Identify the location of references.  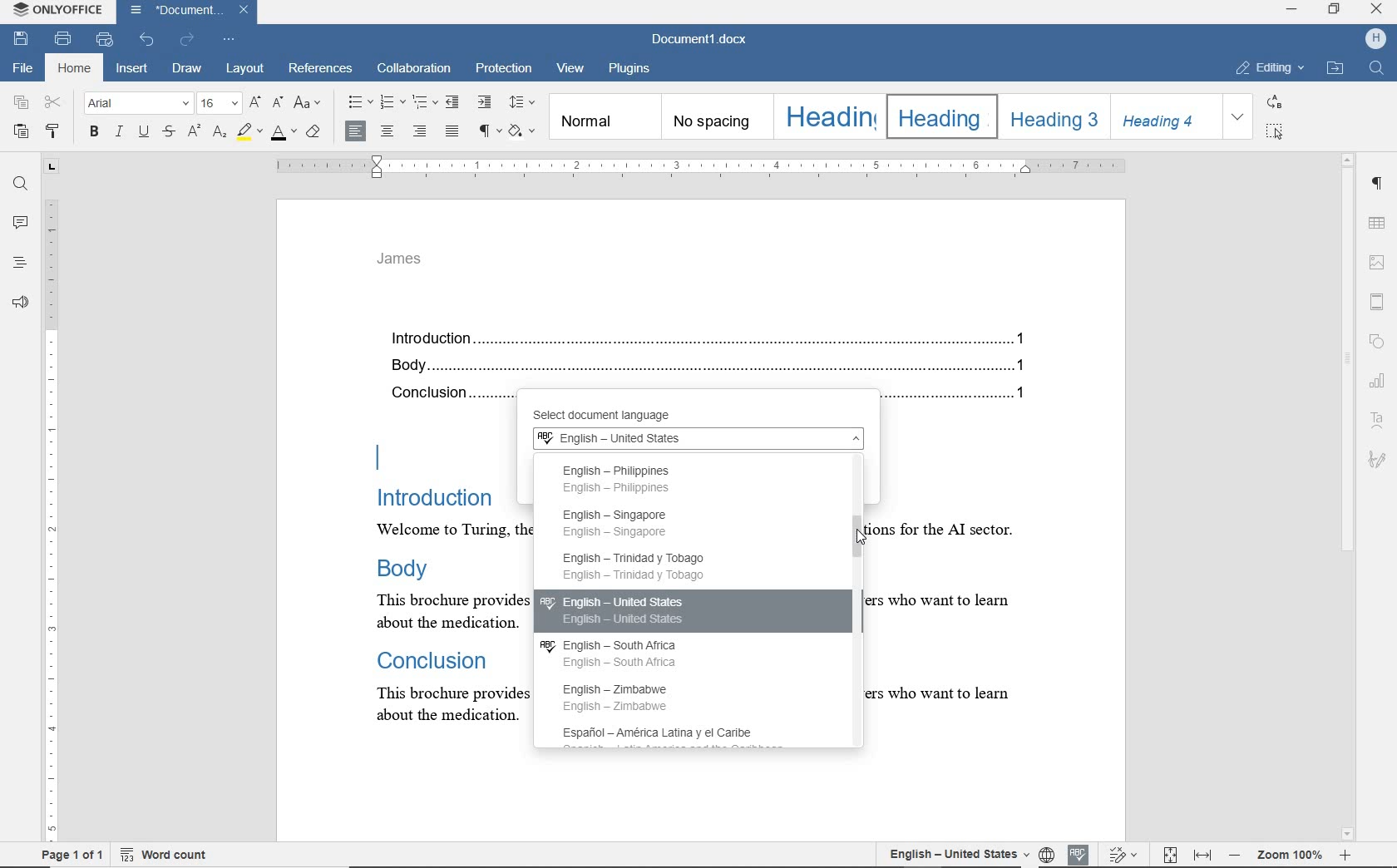
(322, 71).